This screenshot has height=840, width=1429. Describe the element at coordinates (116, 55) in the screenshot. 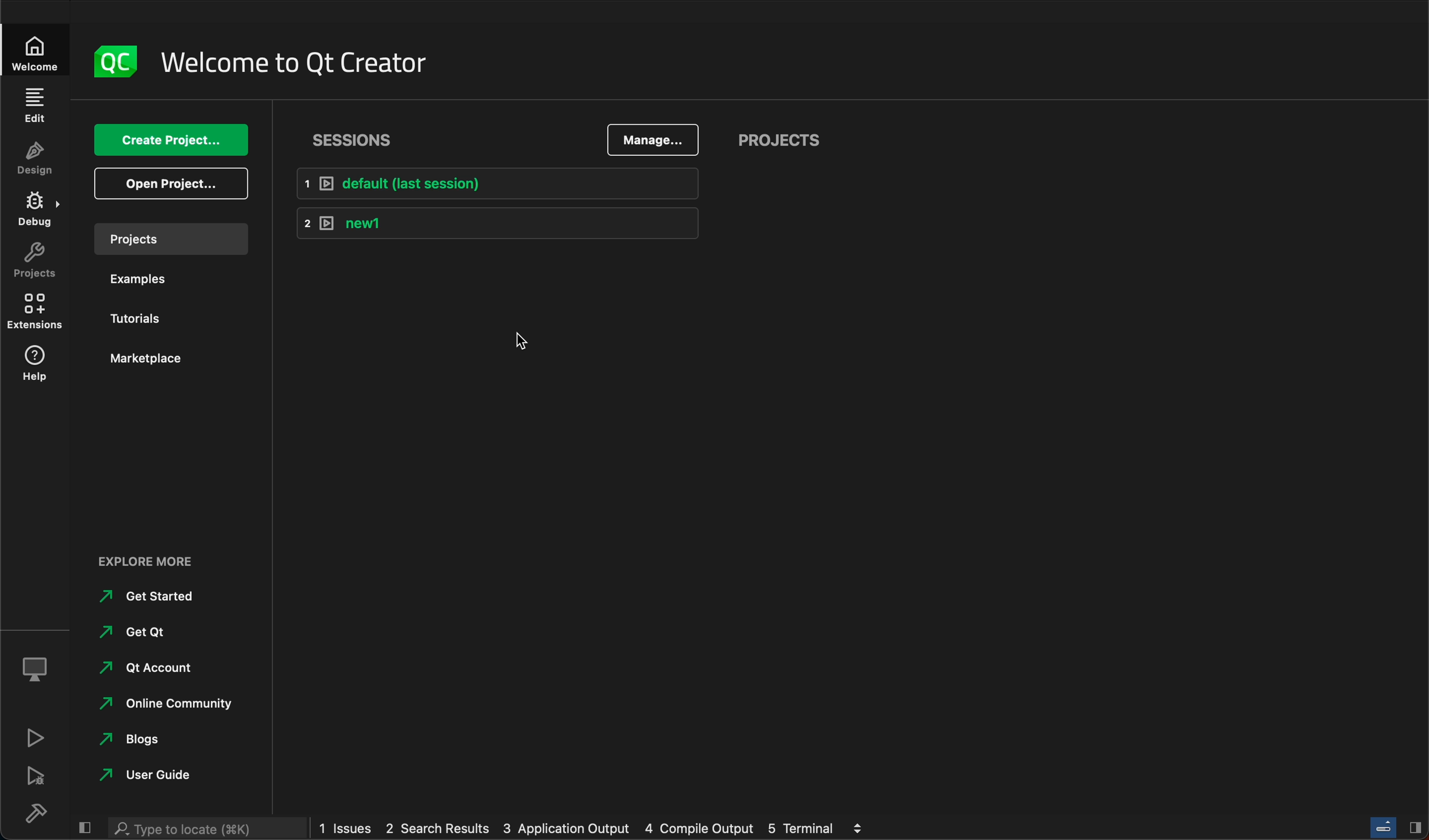

I see `logo` at that location.